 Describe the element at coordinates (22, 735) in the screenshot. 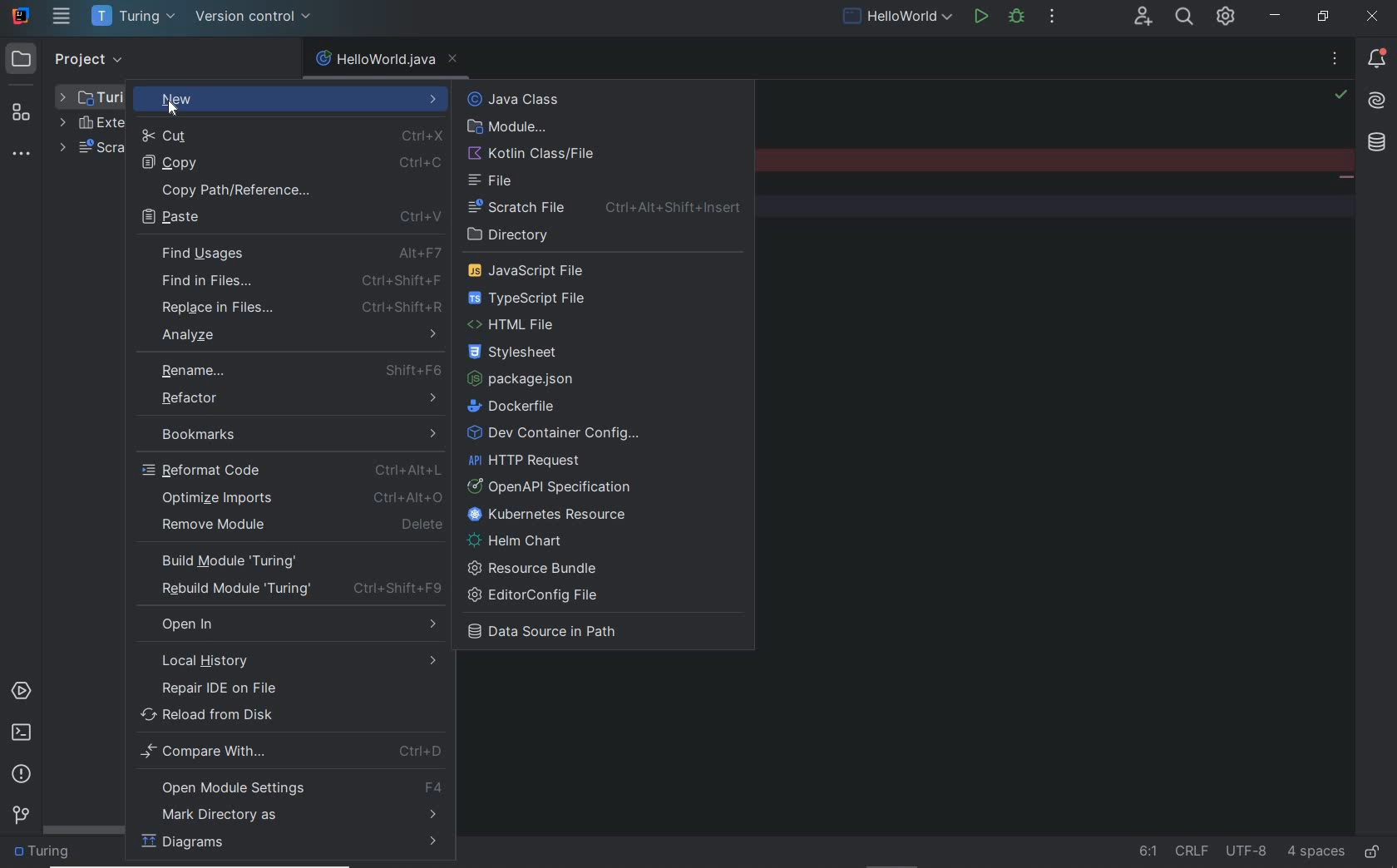

I see `terminal` at that location.